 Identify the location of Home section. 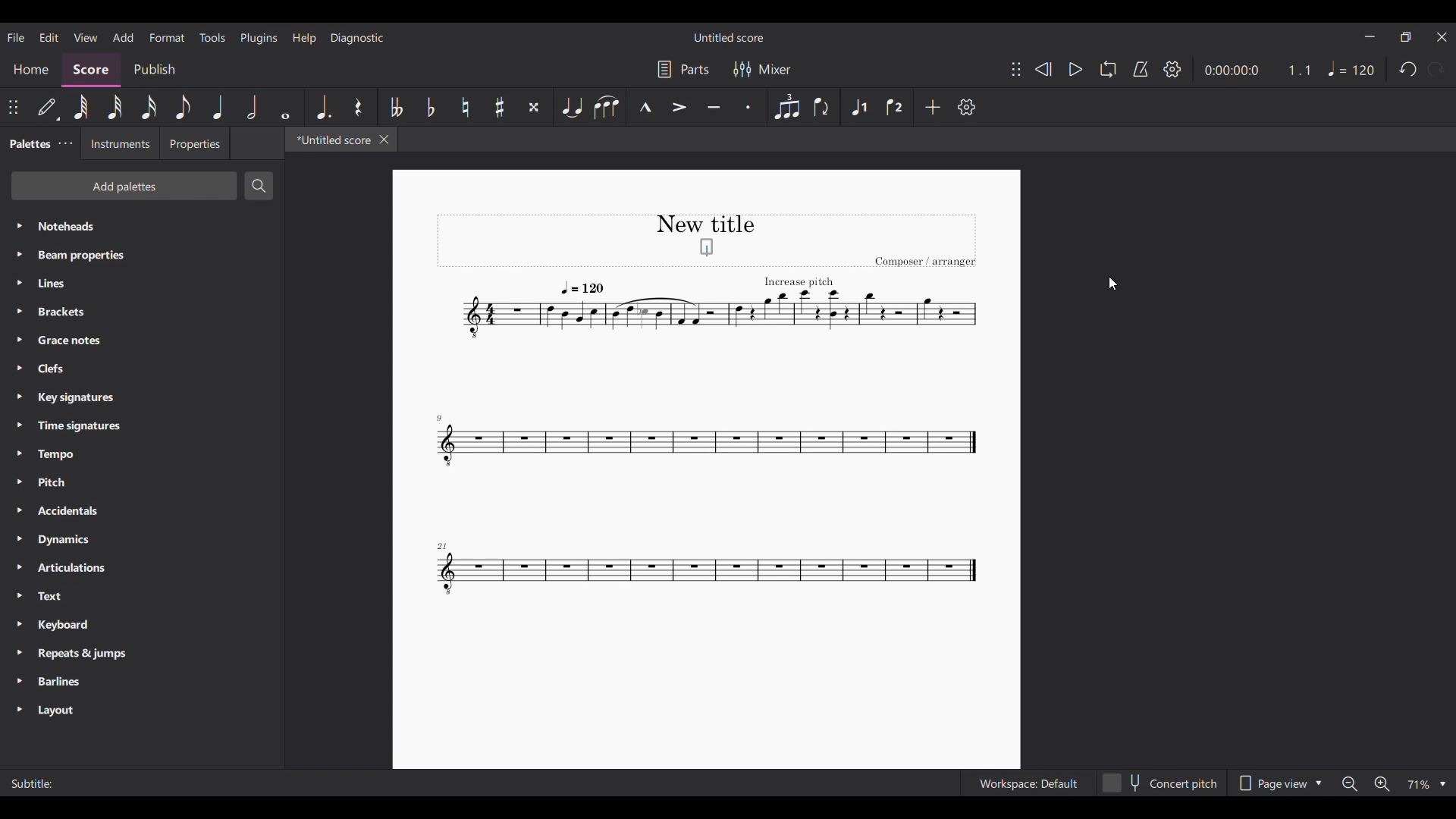
(30, 70).